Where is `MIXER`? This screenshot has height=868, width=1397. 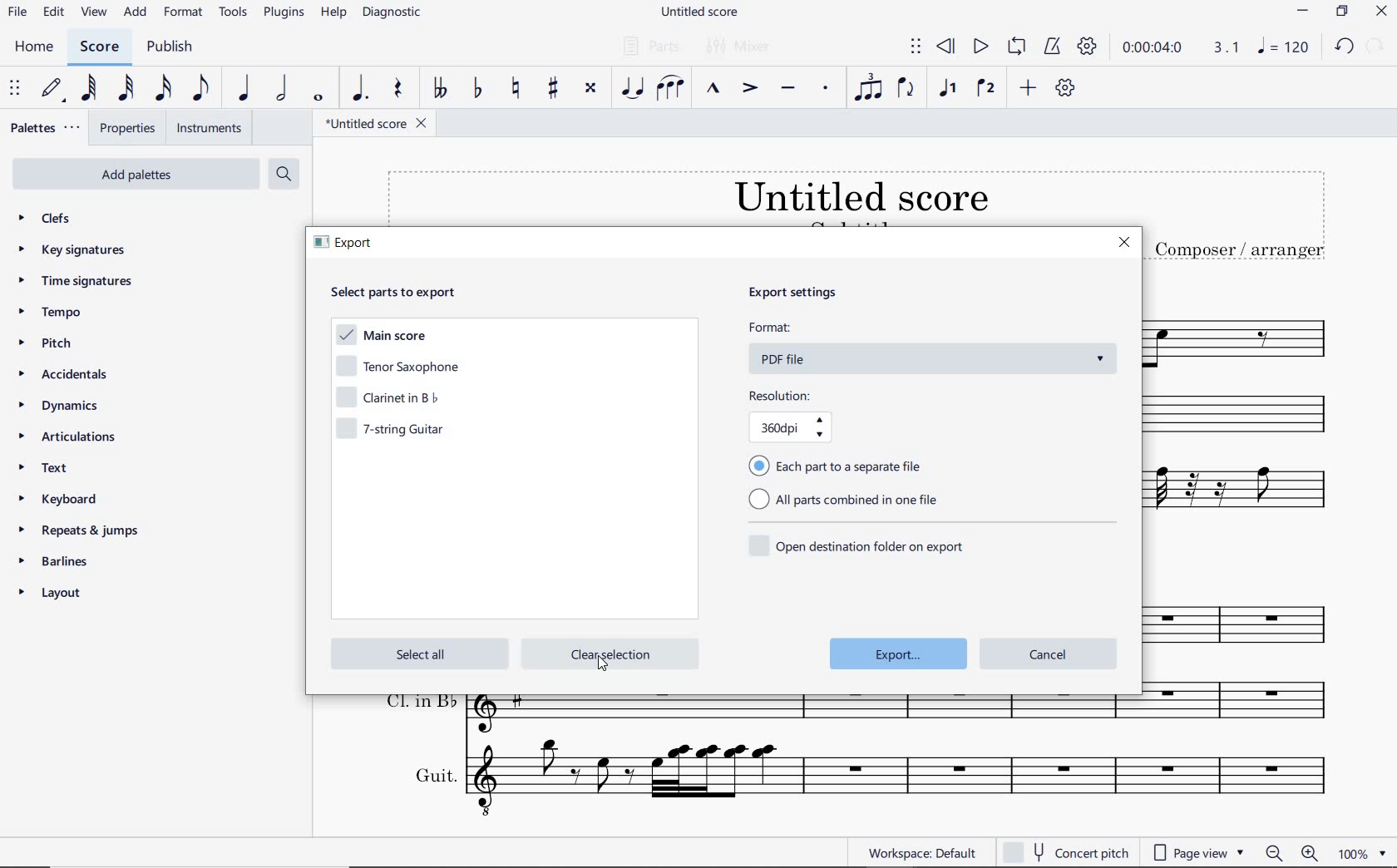 MIXER is located at coordinates (745, 47).